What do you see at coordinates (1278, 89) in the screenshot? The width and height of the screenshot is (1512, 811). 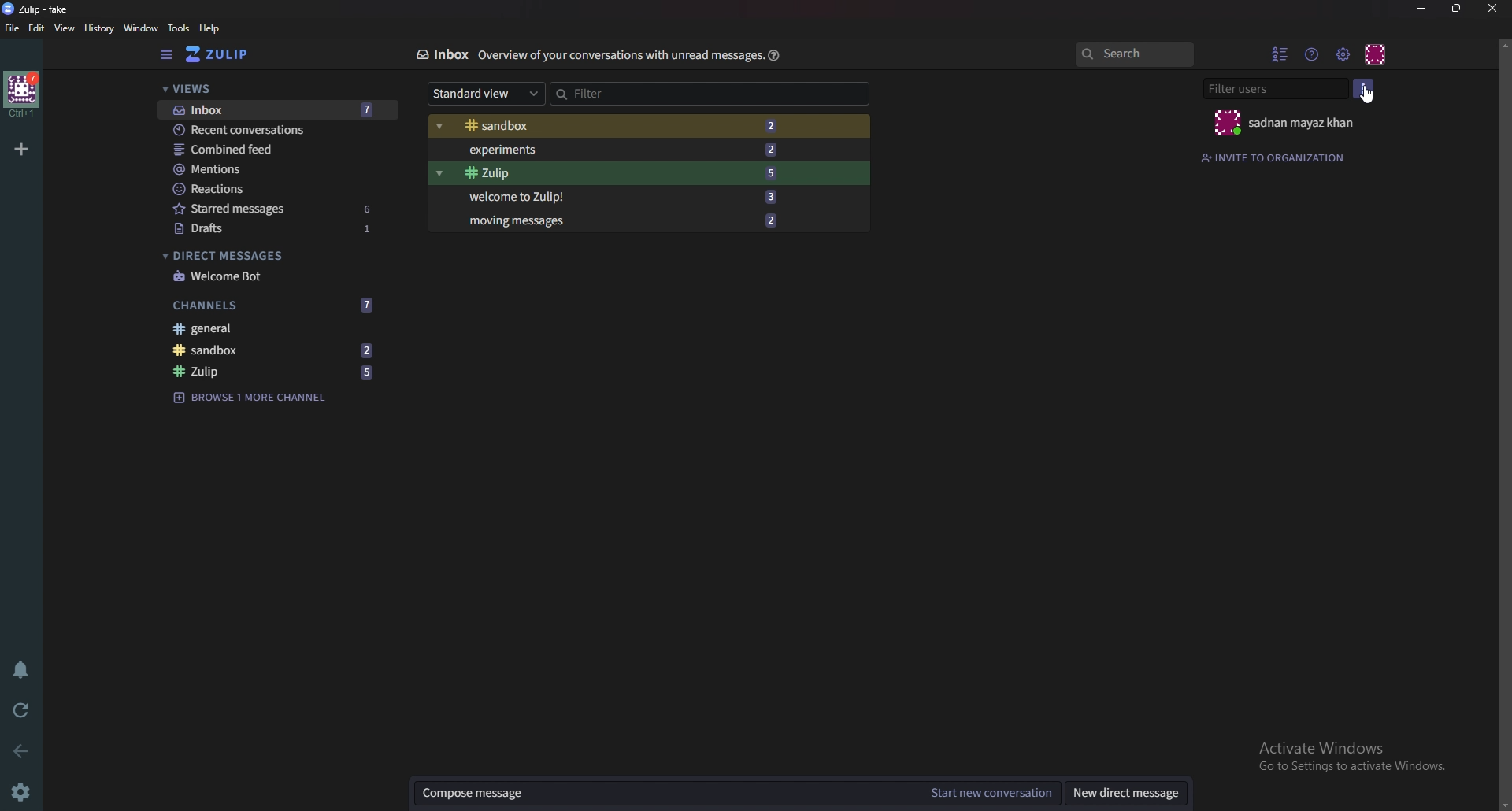 I see `Filter users` at bounding box center [1278, 89].